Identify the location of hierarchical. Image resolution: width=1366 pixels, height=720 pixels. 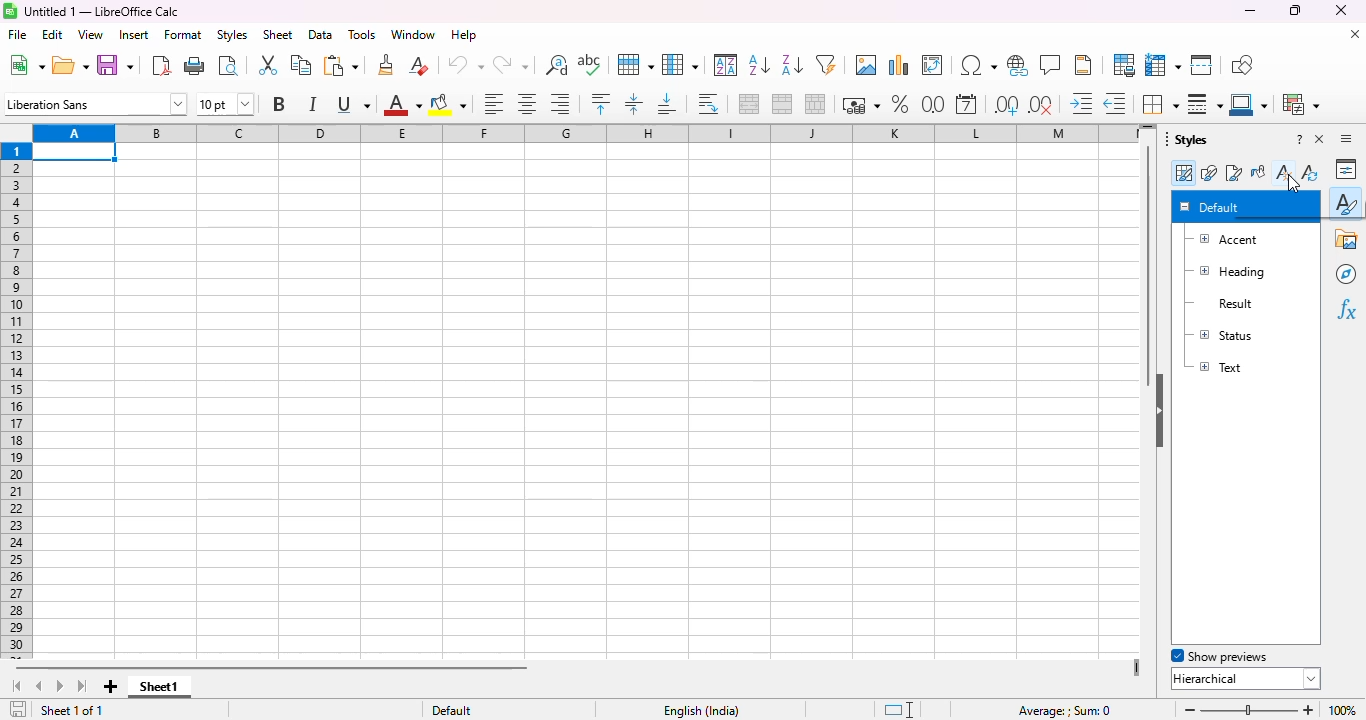
(1246, 678).